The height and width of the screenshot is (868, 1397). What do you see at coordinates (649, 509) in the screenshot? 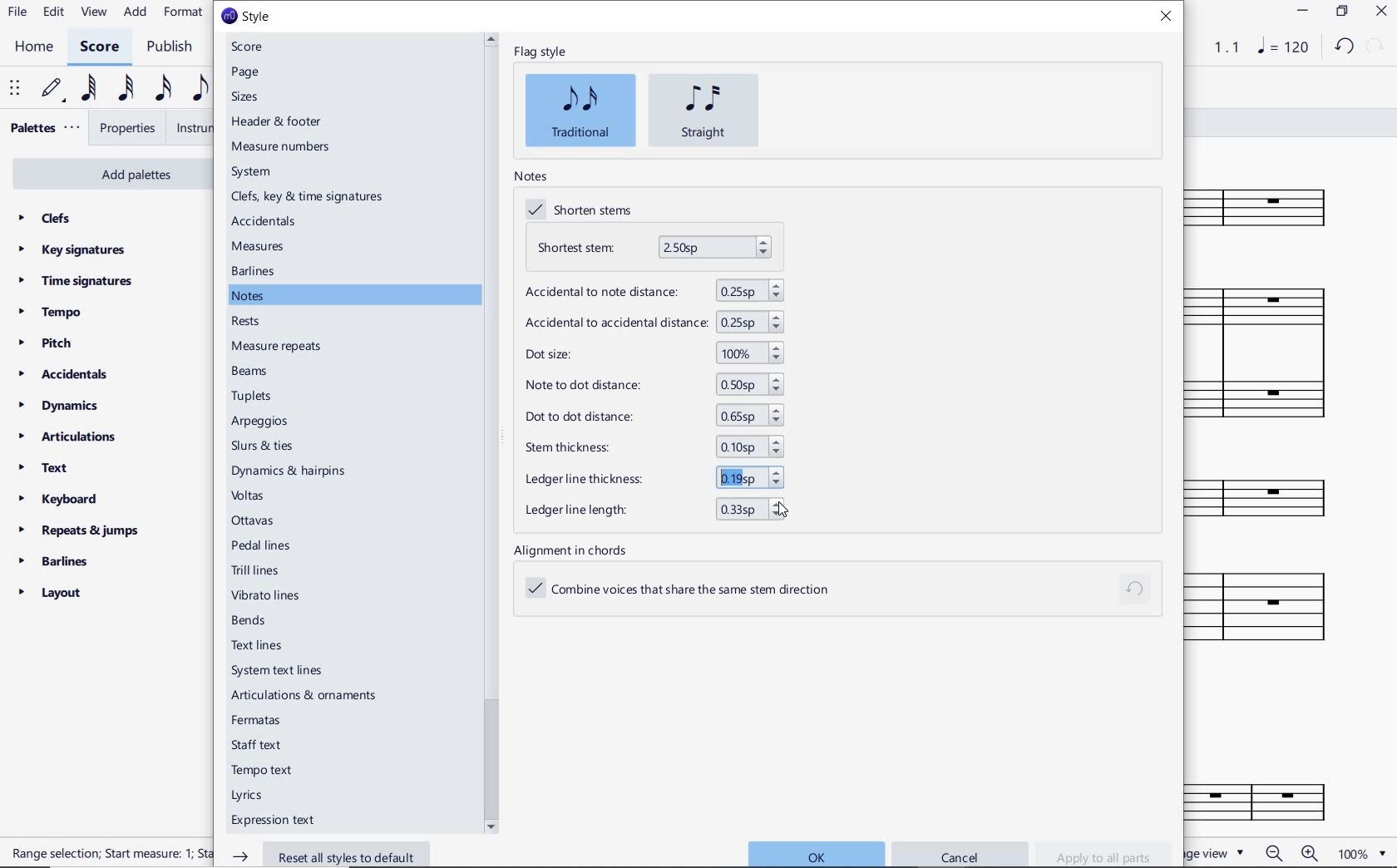
I see `ledger line length` at bounding box center [649, 509].